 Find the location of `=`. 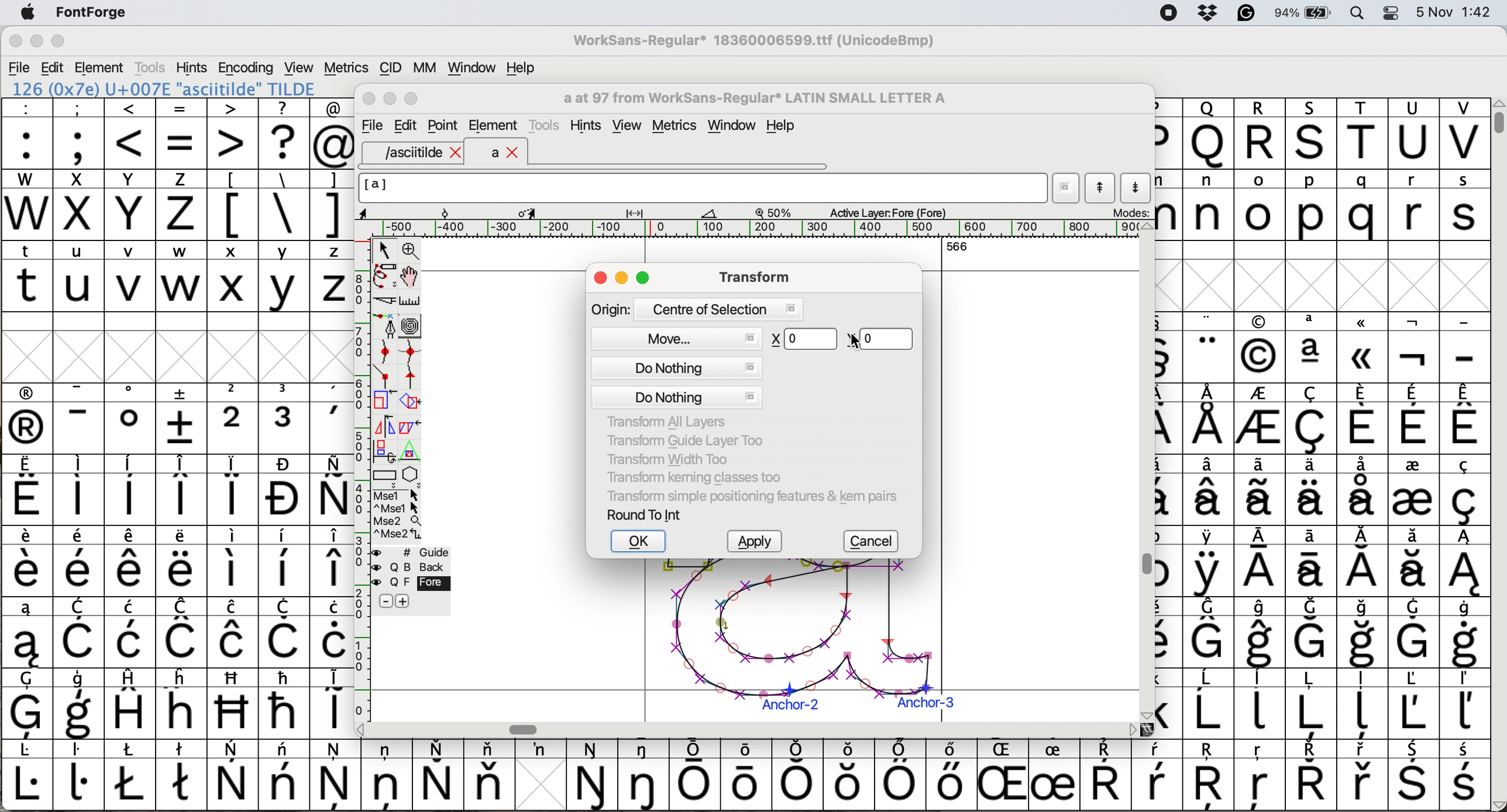

= is located at coordinates (183, 134).